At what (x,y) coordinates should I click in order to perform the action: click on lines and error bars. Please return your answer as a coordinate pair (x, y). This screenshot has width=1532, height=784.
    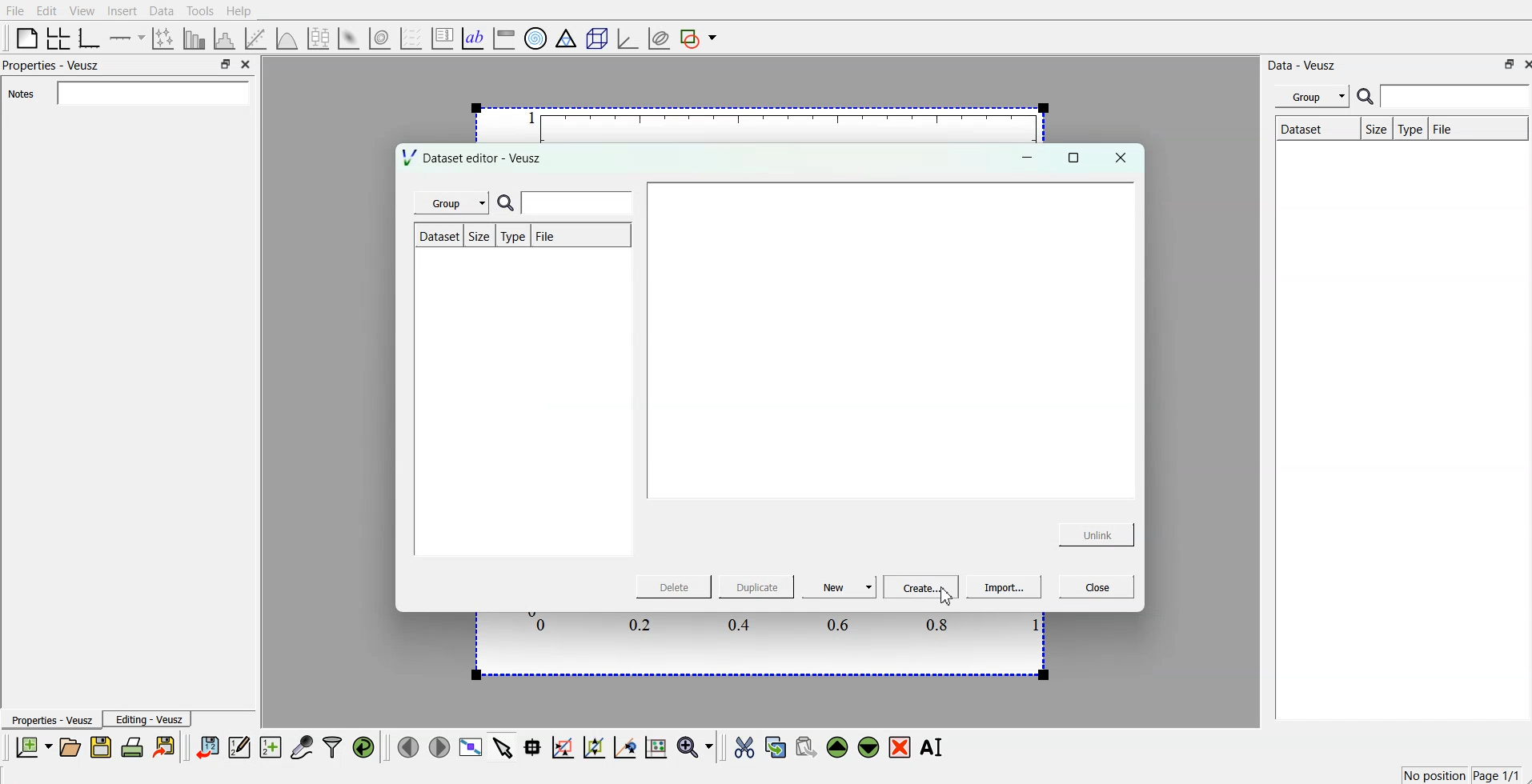
    Looking at the image, I should click on (165, 38).